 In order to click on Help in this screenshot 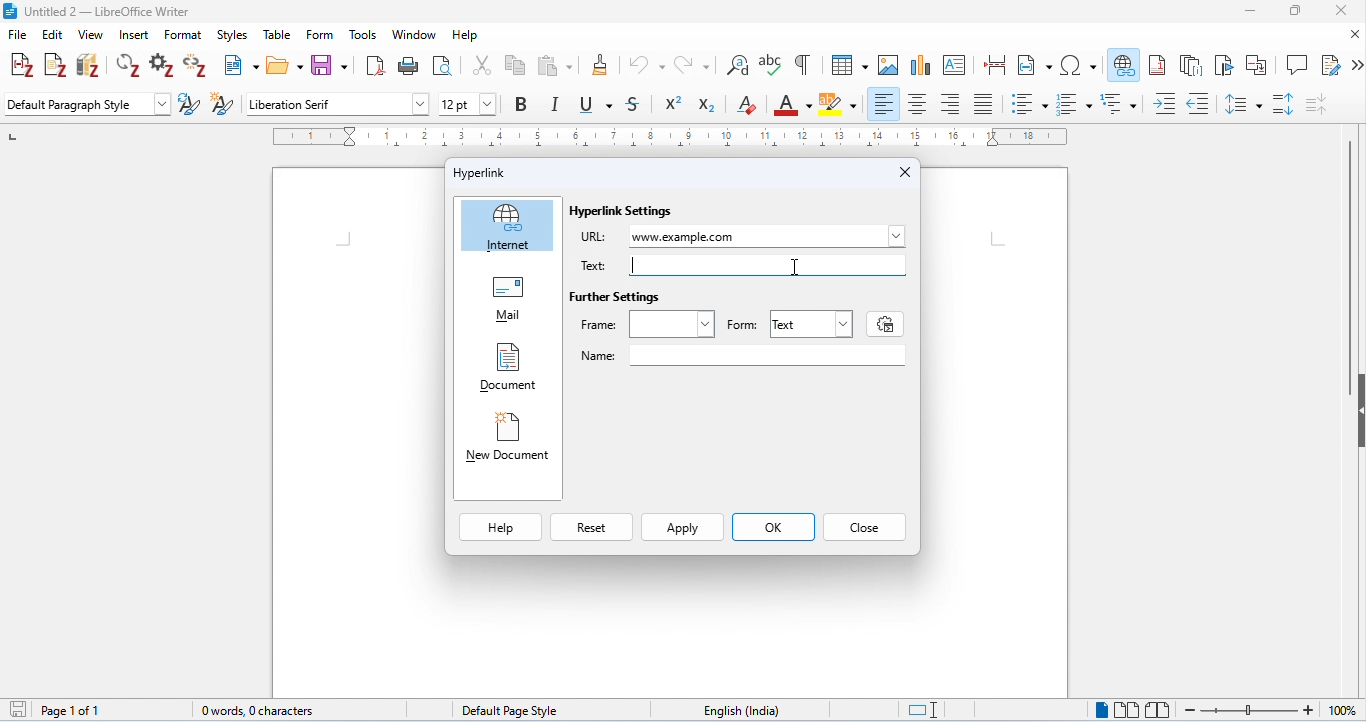, I will do `click(505, 527)`.